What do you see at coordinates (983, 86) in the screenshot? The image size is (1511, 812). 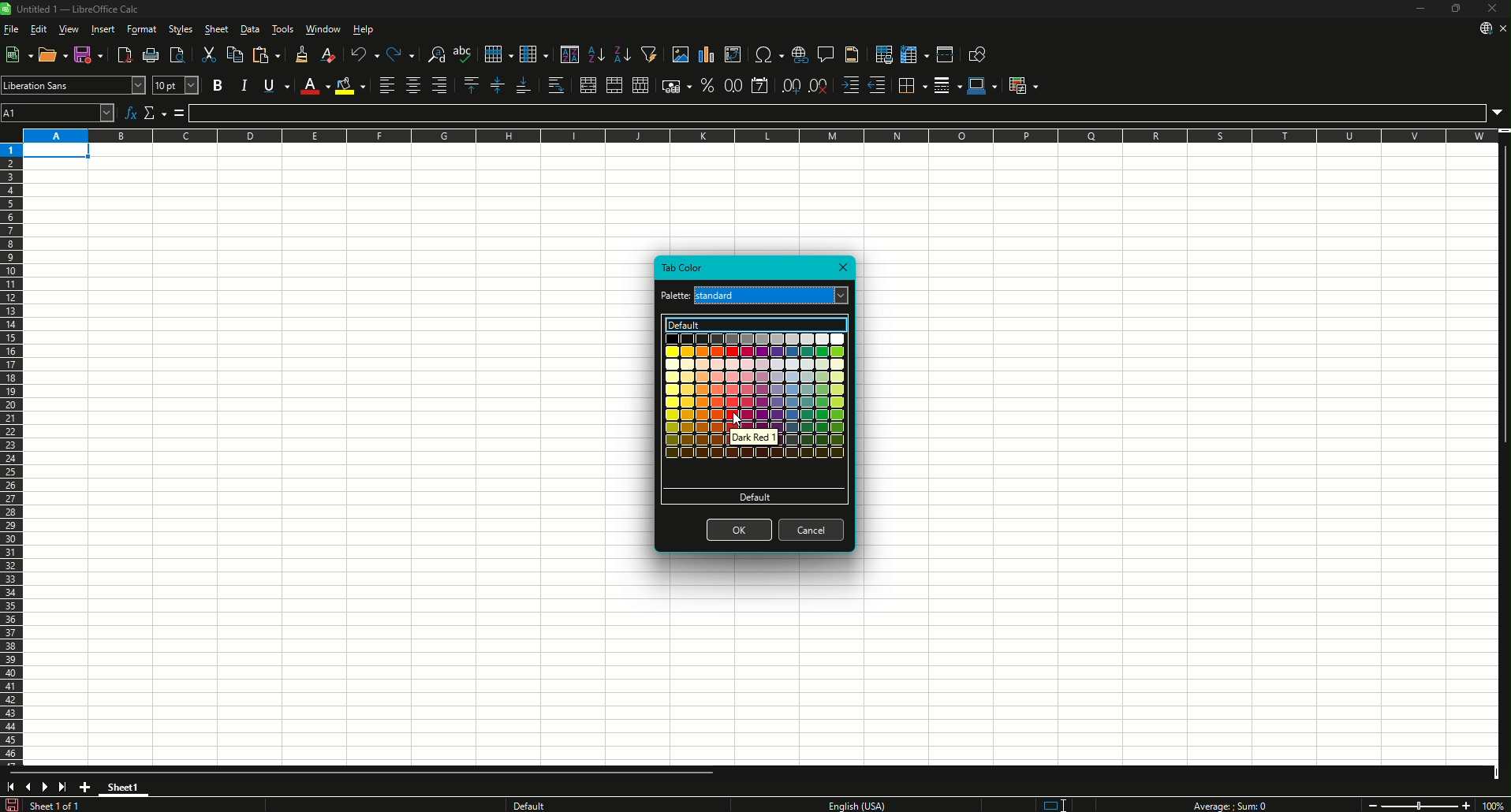 I see `Border Color` at bounding box center [983, 86].